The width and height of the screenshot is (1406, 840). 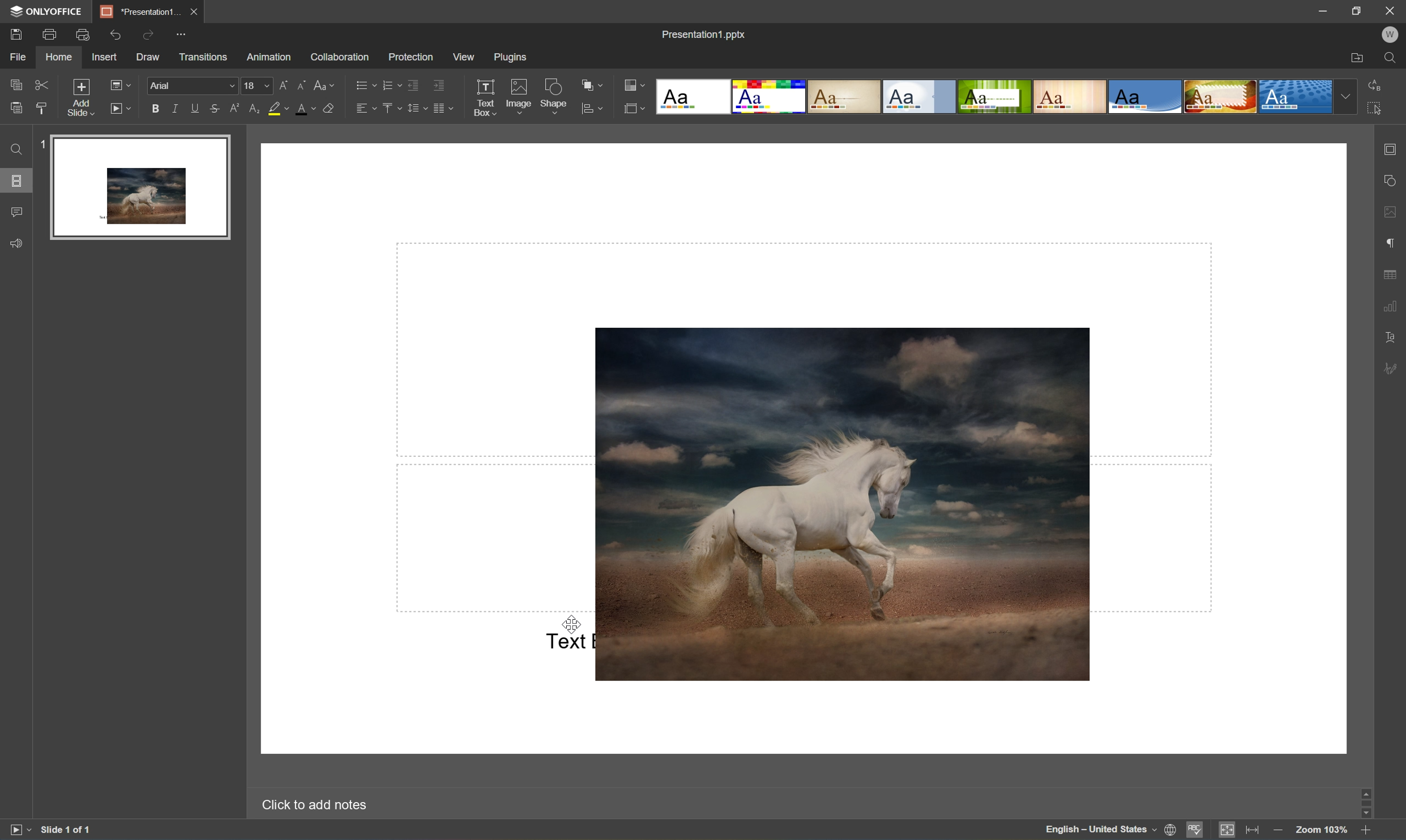 What do you see at coordinates (569, 639) in the screenshot?
I see `Text` at bounding box center [569, 639].